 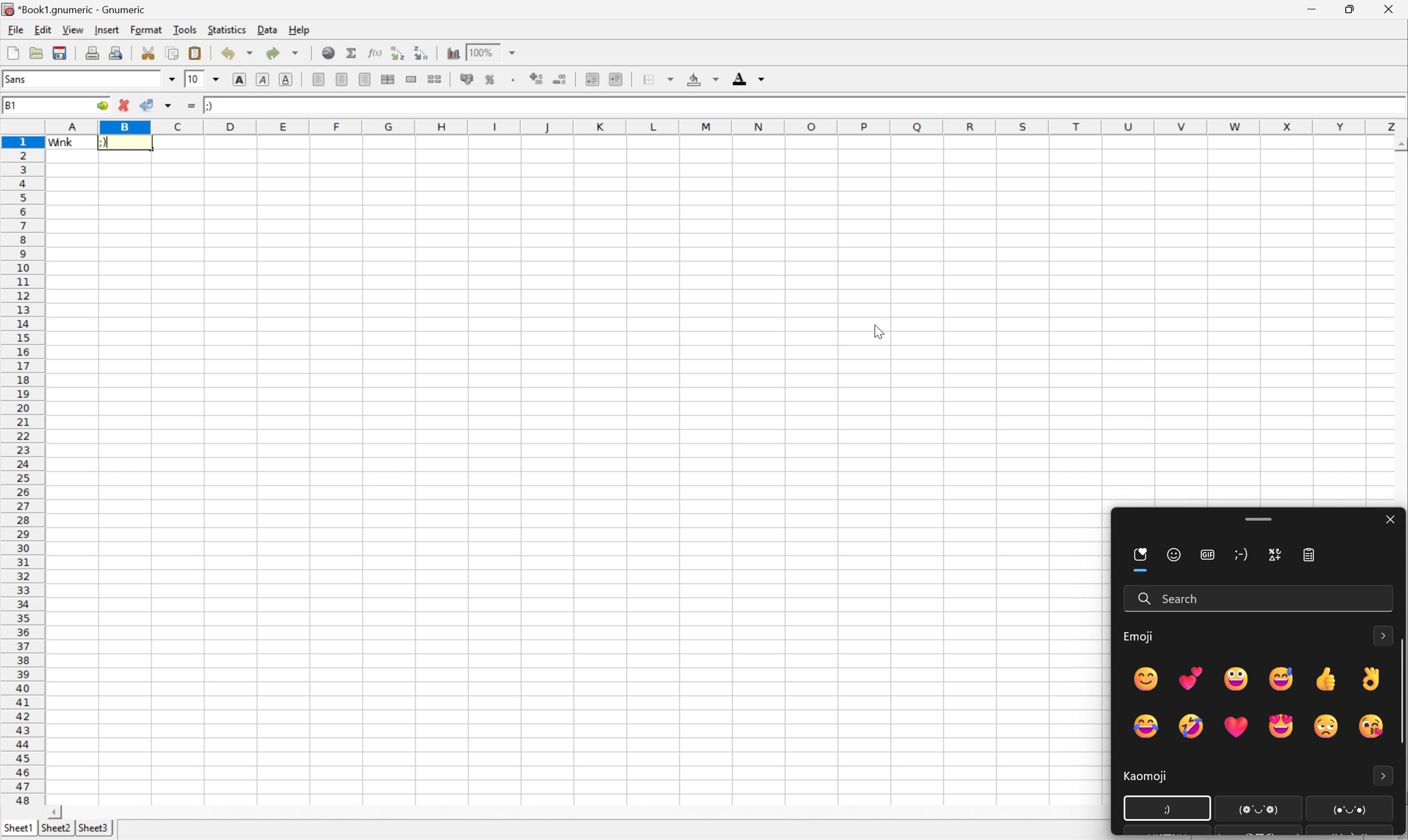 I want to click on wink, so click(x=61, y=143).